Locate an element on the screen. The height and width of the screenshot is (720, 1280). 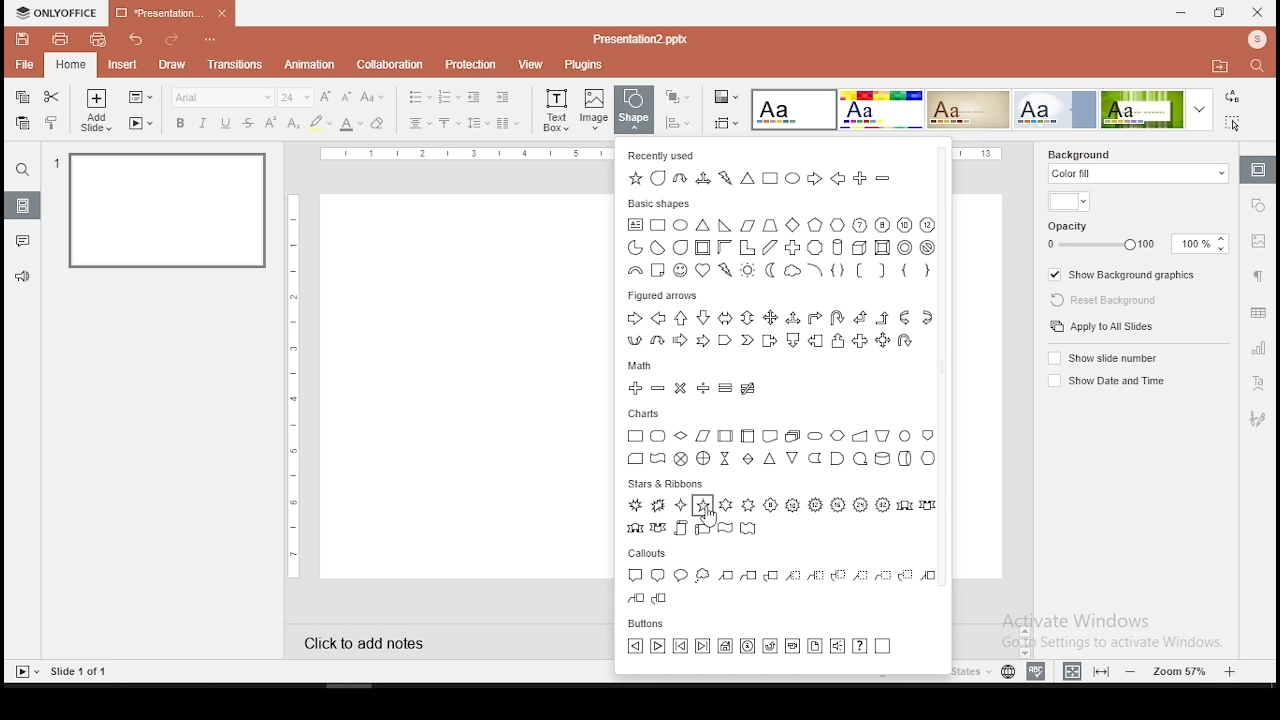
Buttons is located at coordinates (654, 624).